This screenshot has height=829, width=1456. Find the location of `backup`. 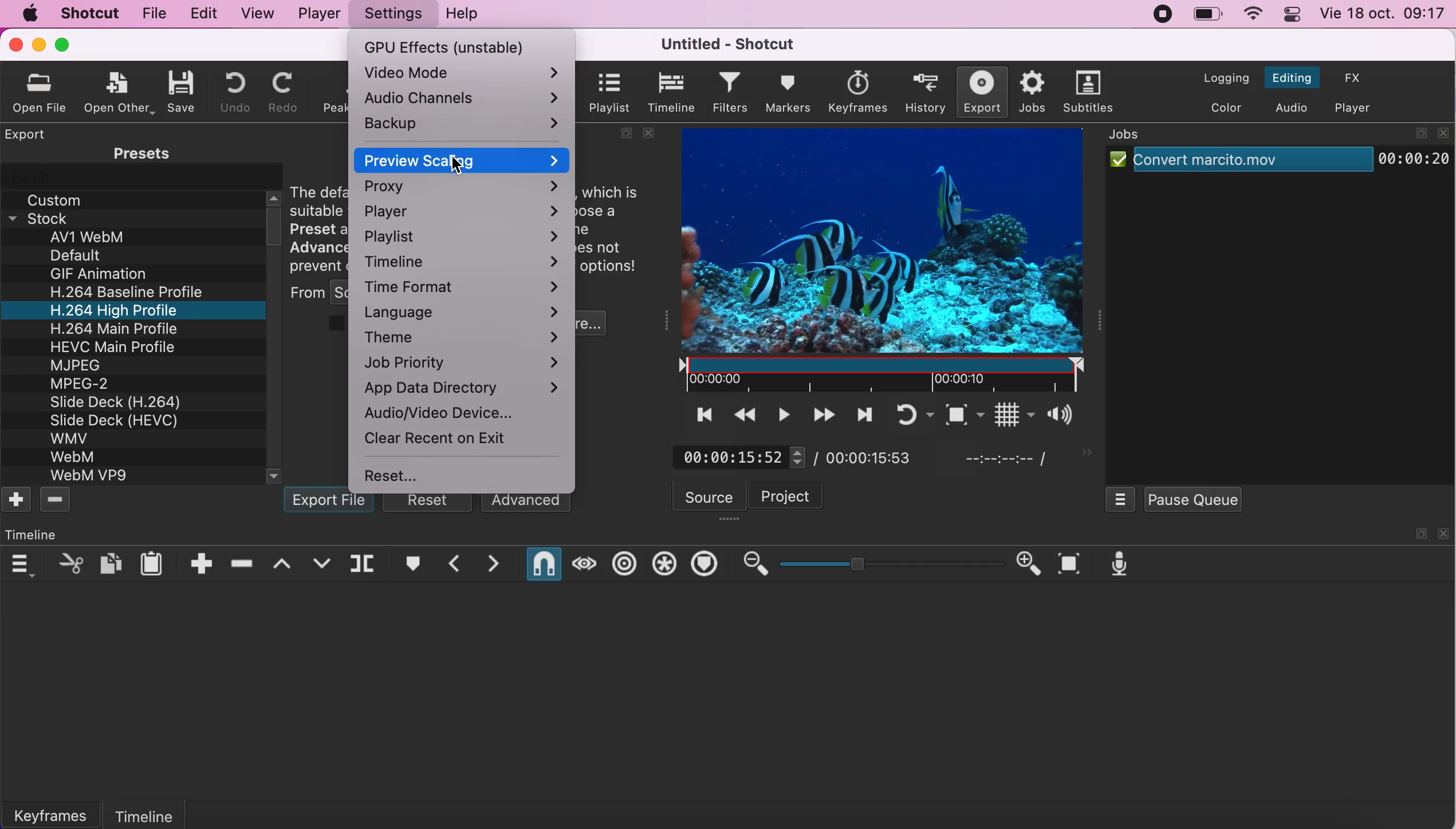

backup is located at coordinates (463, 125).